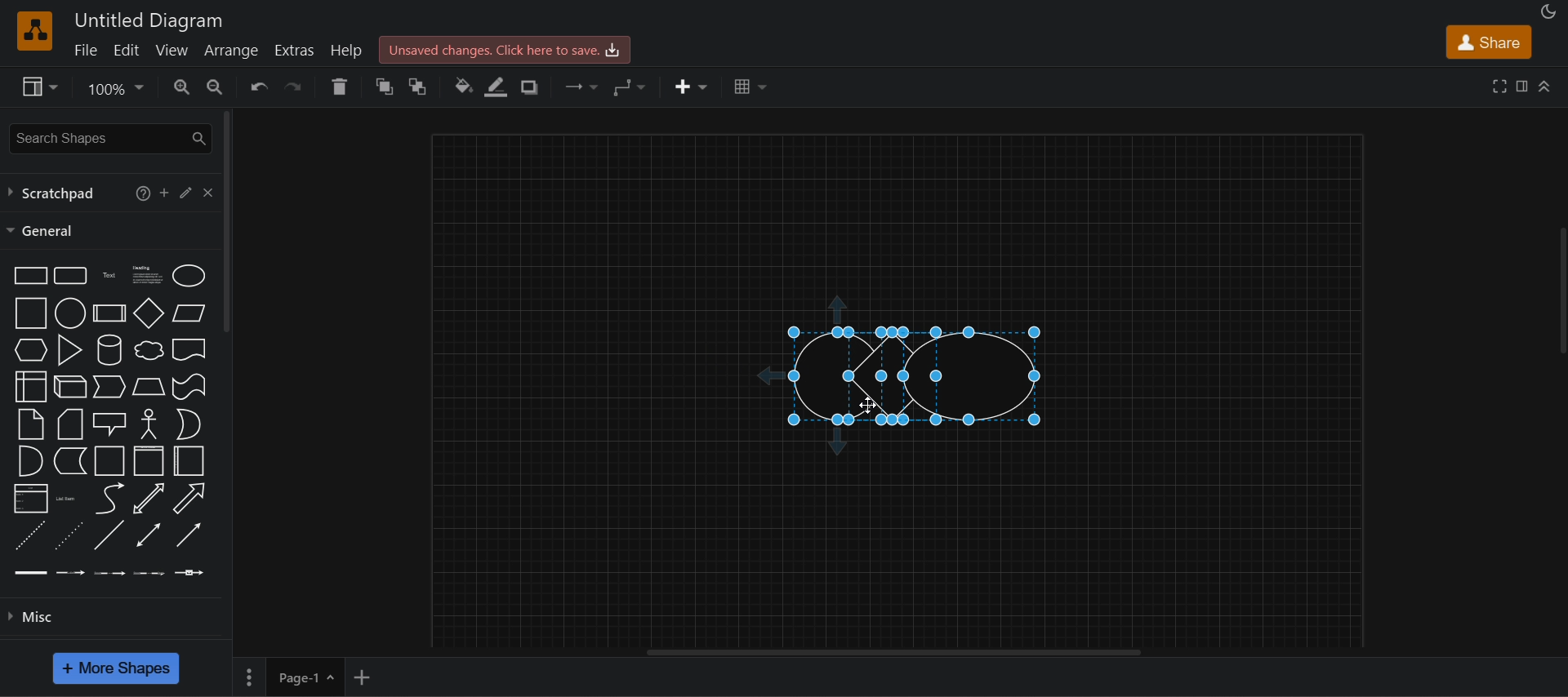 The height and width of the screenshot is (697, 1568). What do you see at coordinates (350, 50) in the screenshot?
I see `help` at bounding box center [350, 50].